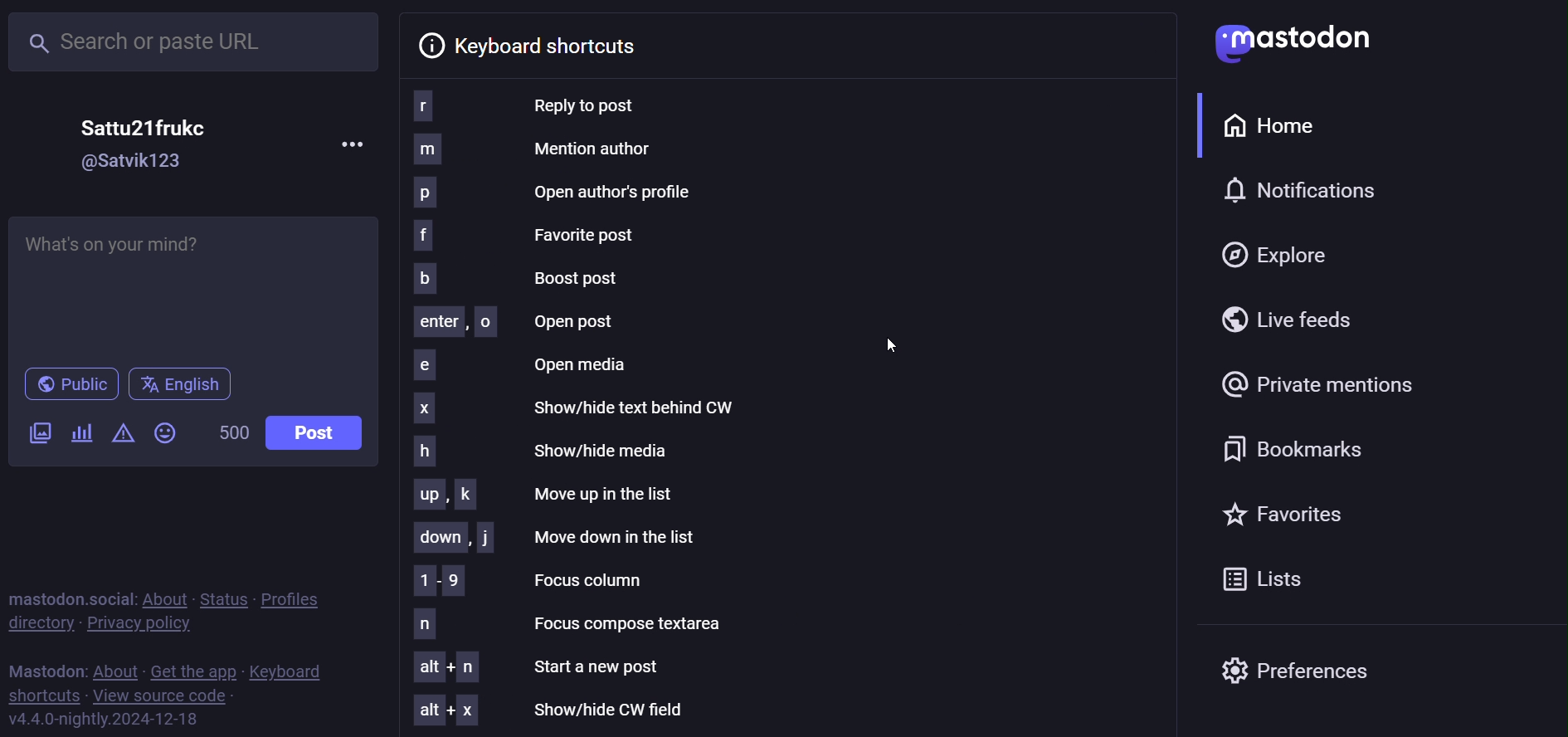  I want to click on notification, so click(1308, 189).